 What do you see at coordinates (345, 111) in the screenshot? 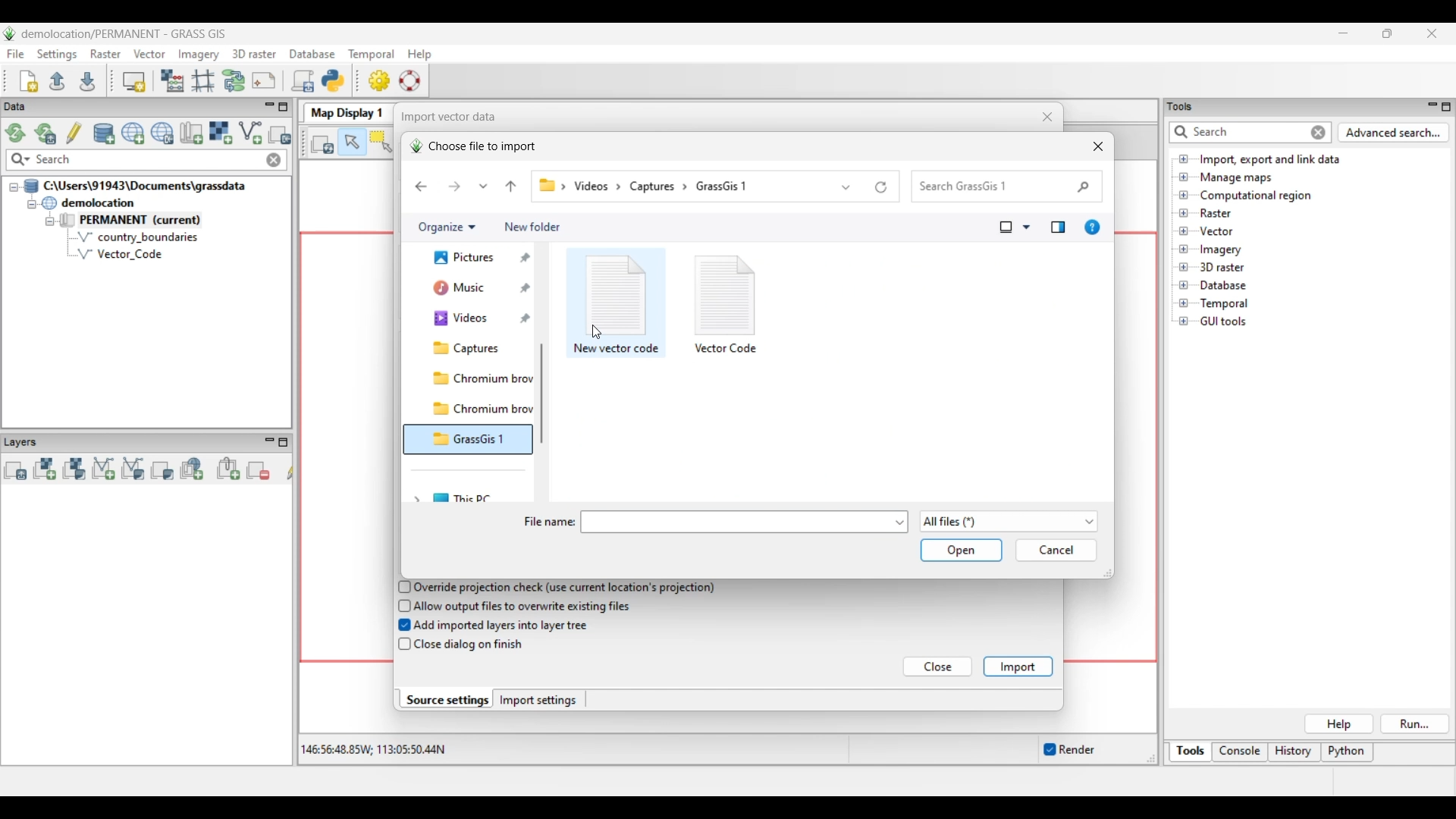
I see `Map Display 1 tab` at bounding box center [345, 111].